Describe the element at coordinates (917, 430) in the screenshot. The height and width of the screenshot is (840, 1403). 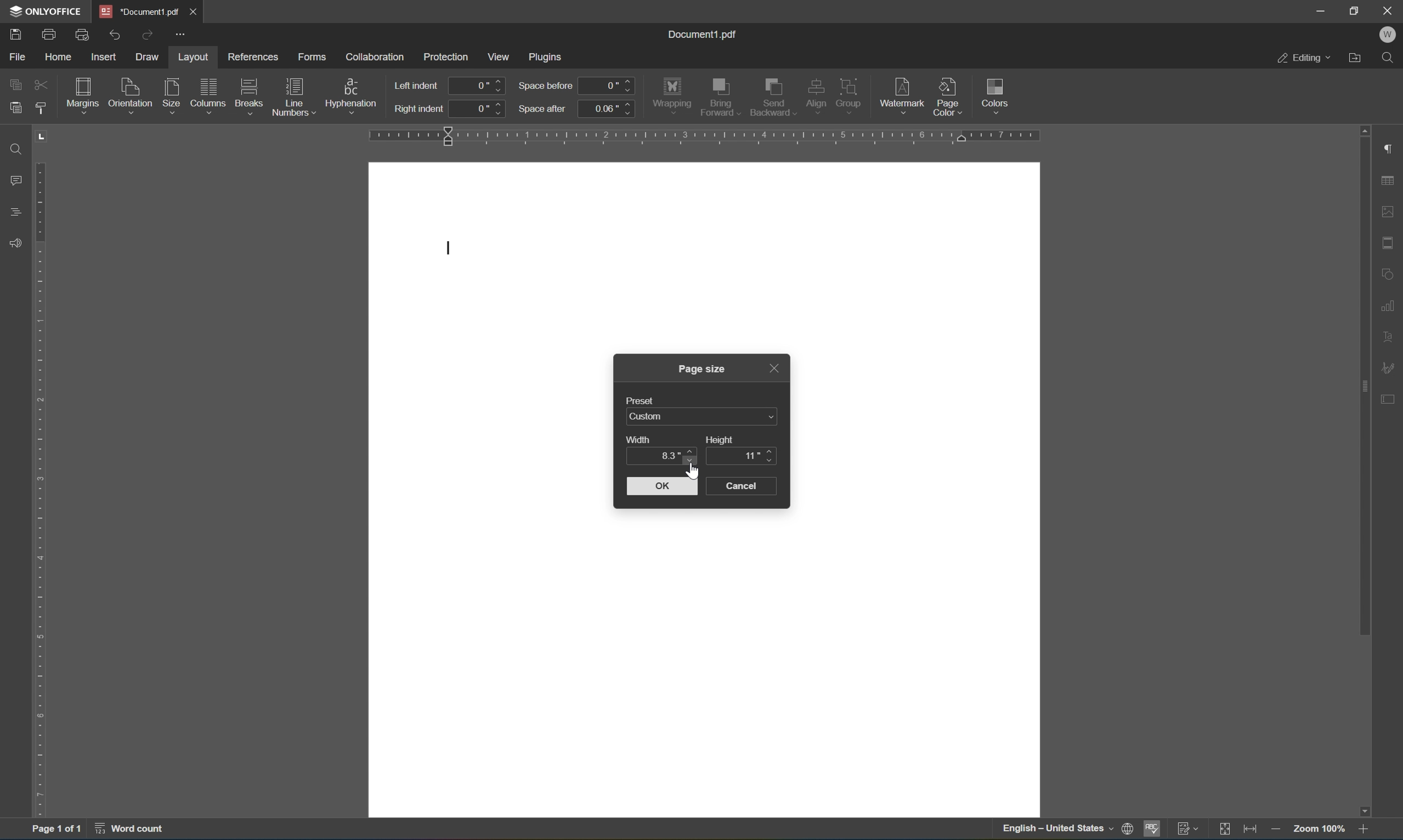
I see `workspace` at that location.